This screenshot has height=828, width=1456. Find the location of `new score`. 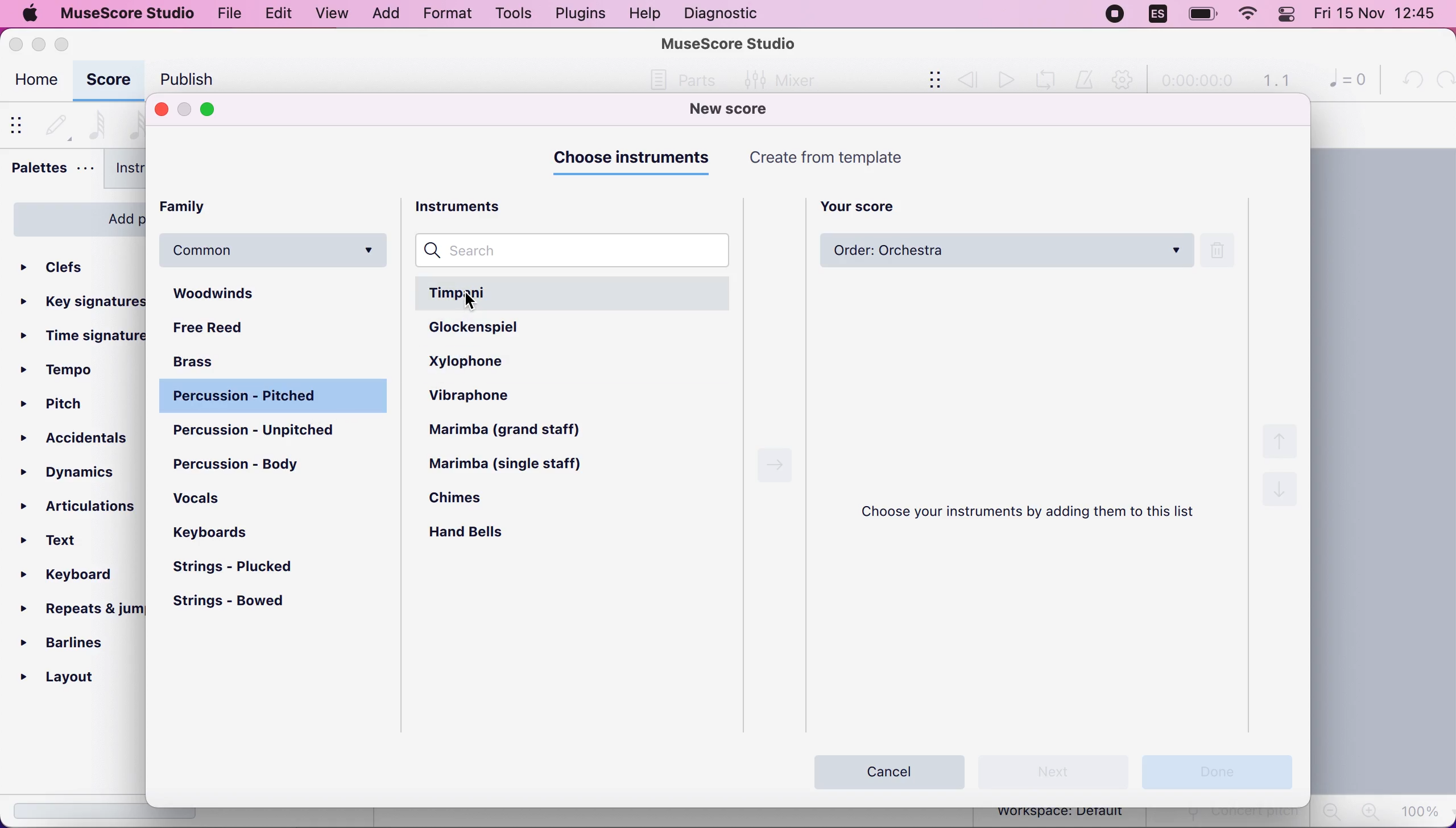

new score is located at coordinates (744, 110).